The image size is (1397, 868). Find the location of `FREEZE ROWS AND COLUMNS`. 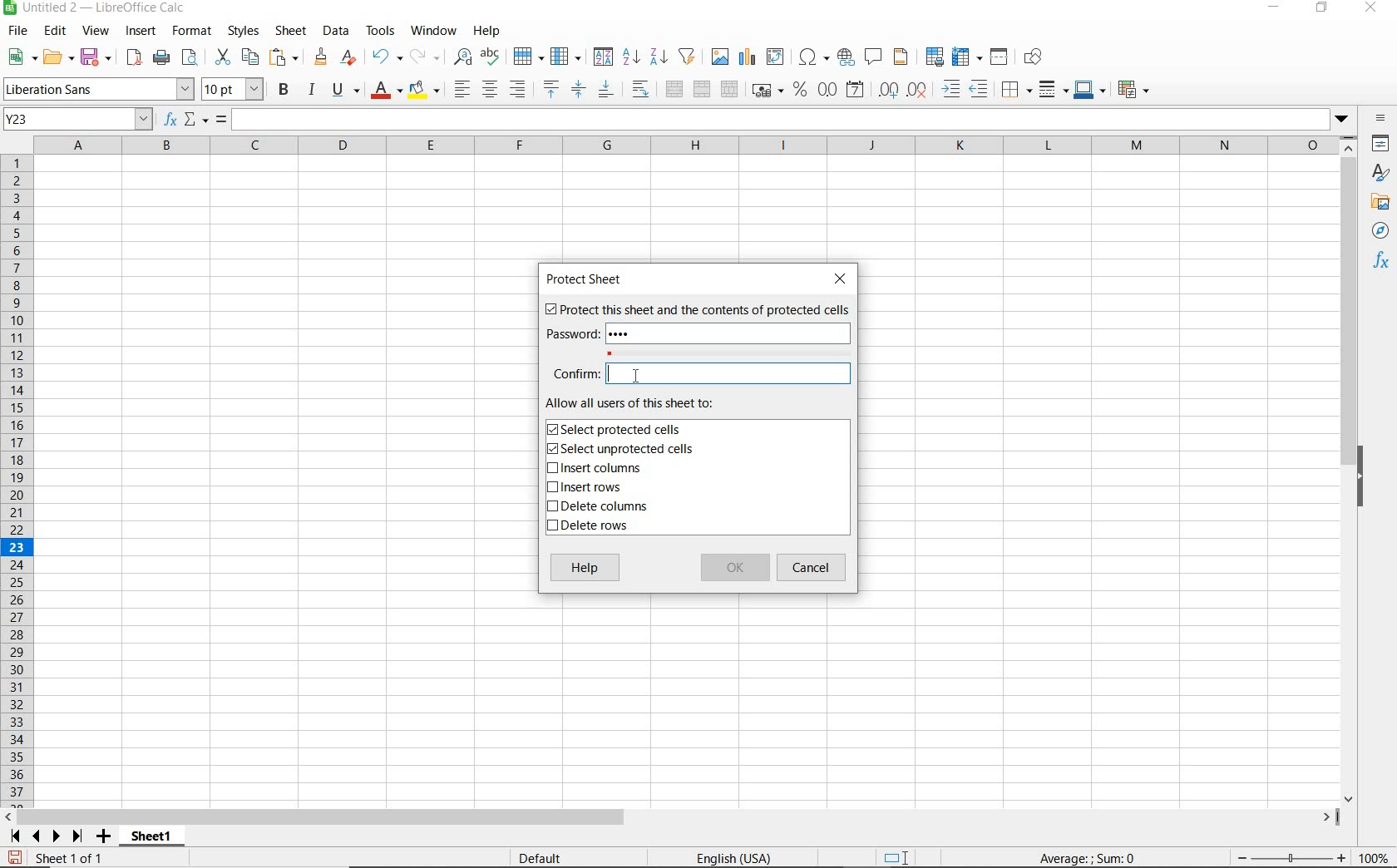

FREEZE ROWS AND COLUMNS is located at coordinates (969, 56).